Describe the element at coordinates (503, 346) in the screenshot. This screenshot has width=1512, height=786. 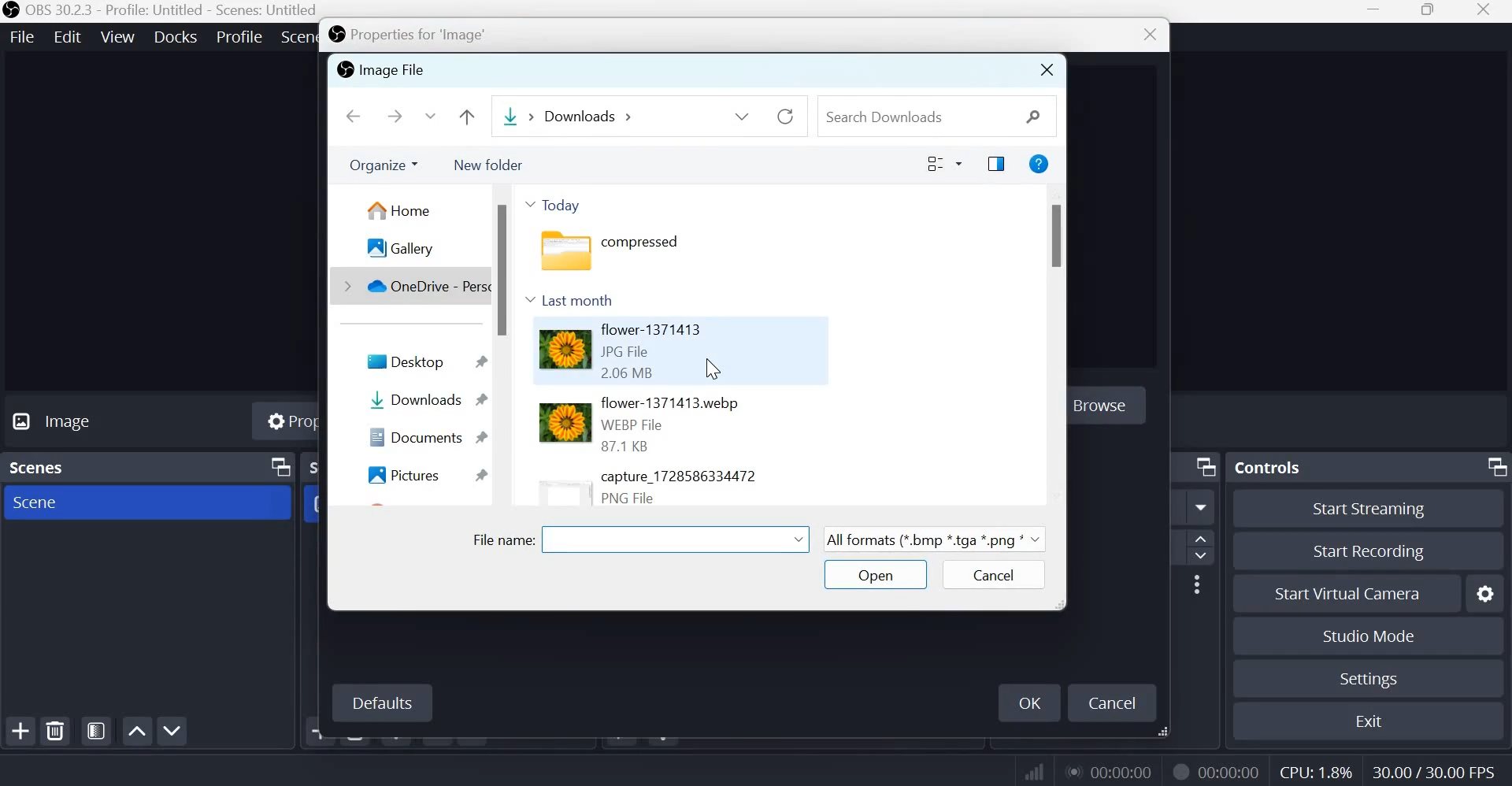
I see `scrollbar` at that location.